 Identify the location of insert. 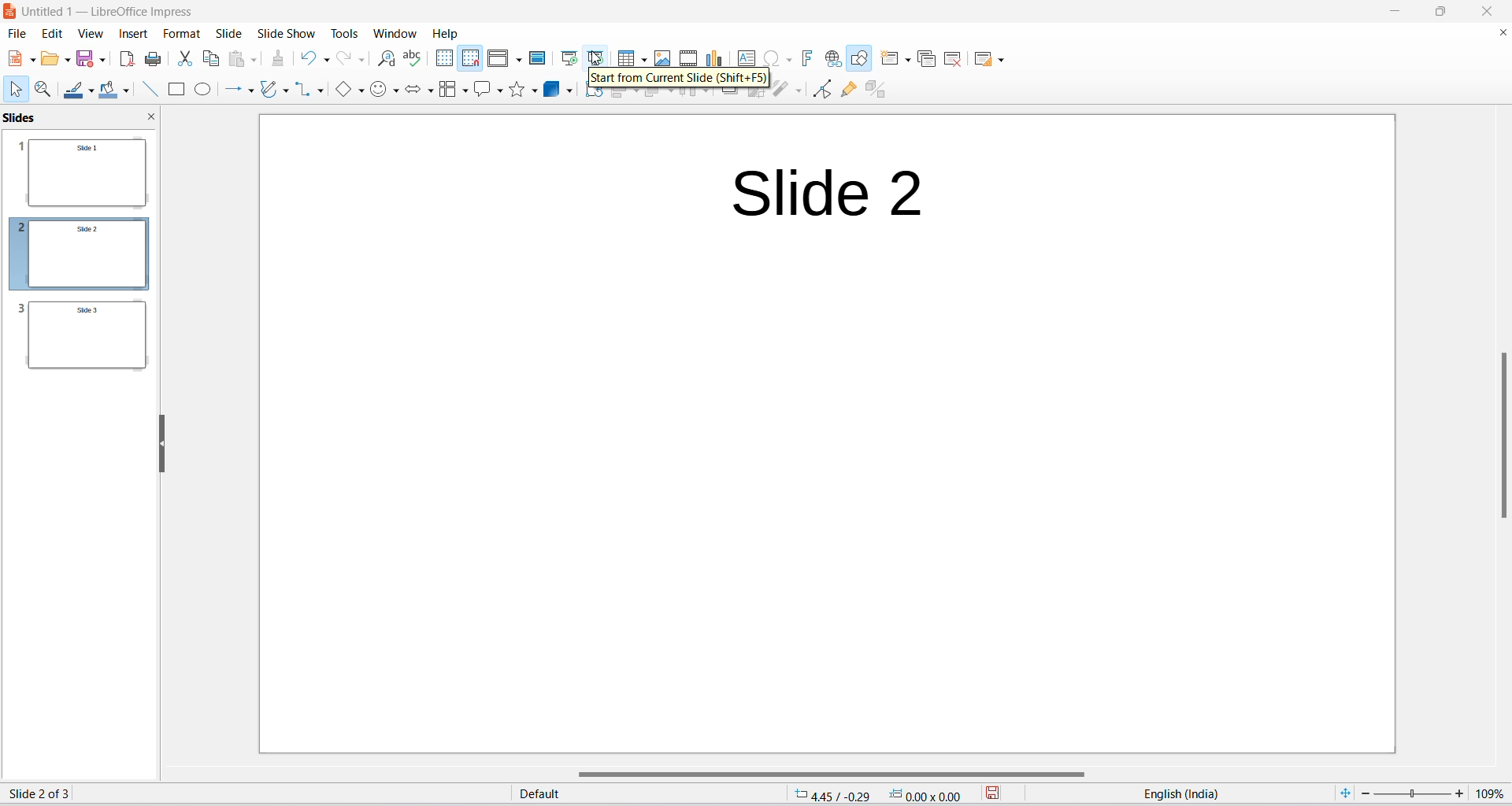
(135, 35).